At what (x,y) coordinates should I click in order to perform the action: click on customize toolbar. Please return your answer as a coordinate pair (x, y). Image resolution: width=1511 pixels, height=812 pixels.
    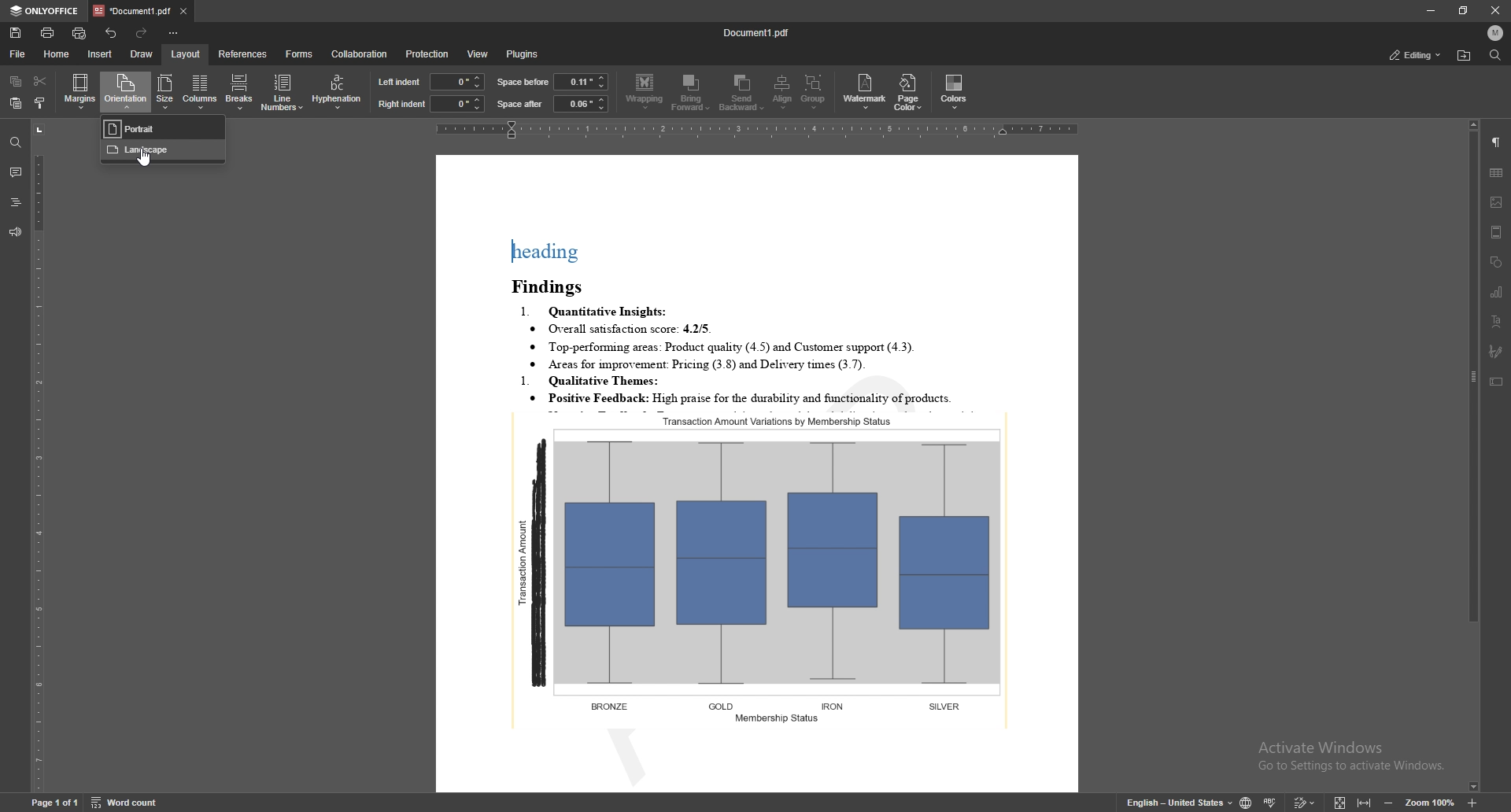
    Looking at the image, I should click on (172, 32).